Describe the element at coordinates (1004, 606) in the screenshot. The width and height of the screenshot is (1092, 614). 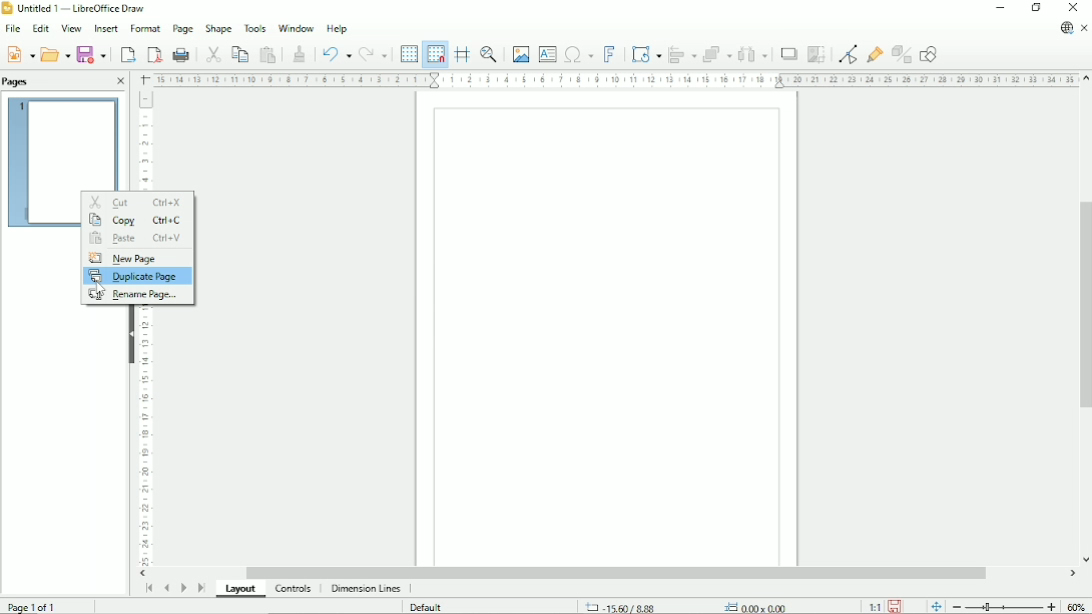
I see `Zoom out/in` at that location.